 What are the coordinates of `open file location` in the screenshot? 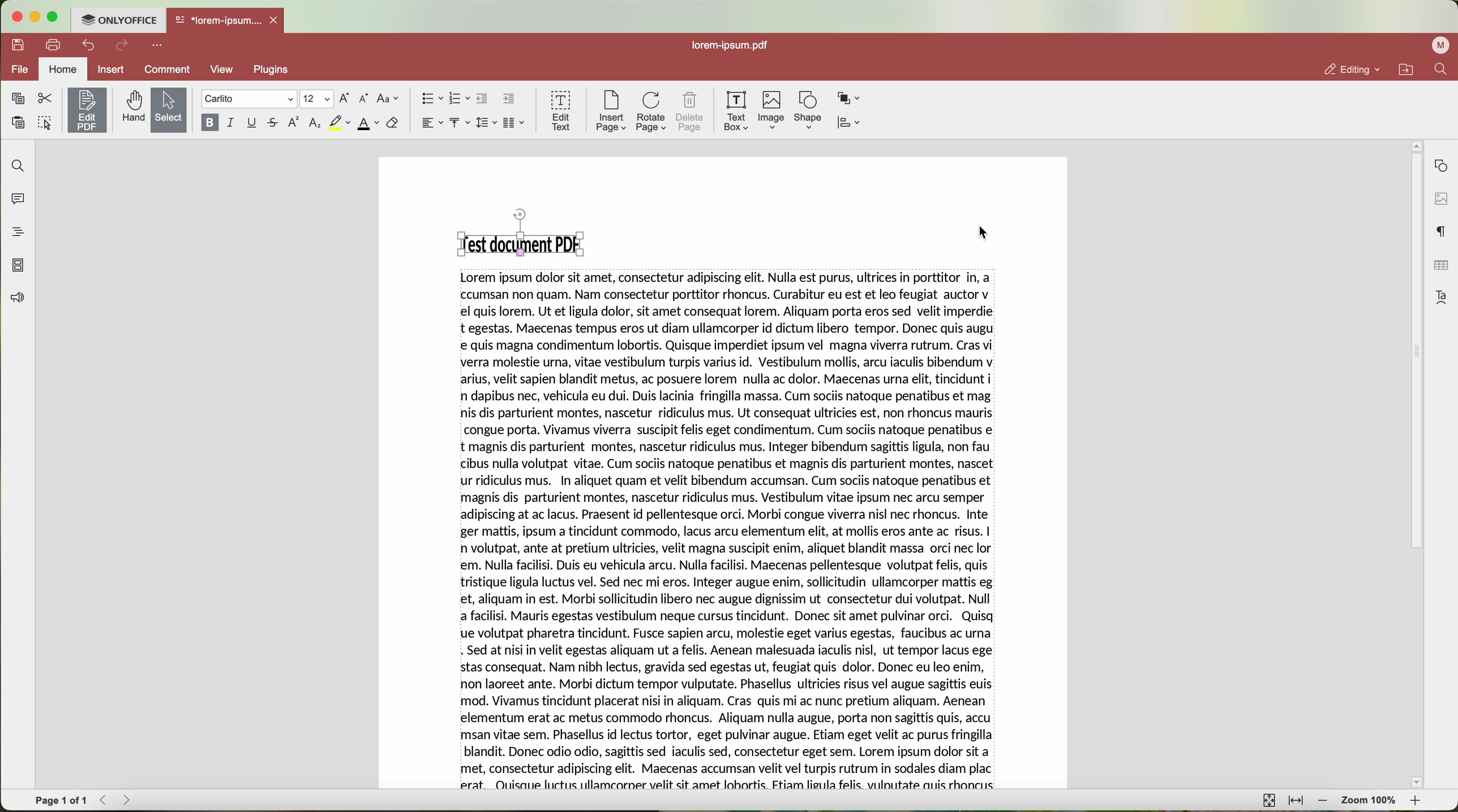 It's located at (1405, 69).